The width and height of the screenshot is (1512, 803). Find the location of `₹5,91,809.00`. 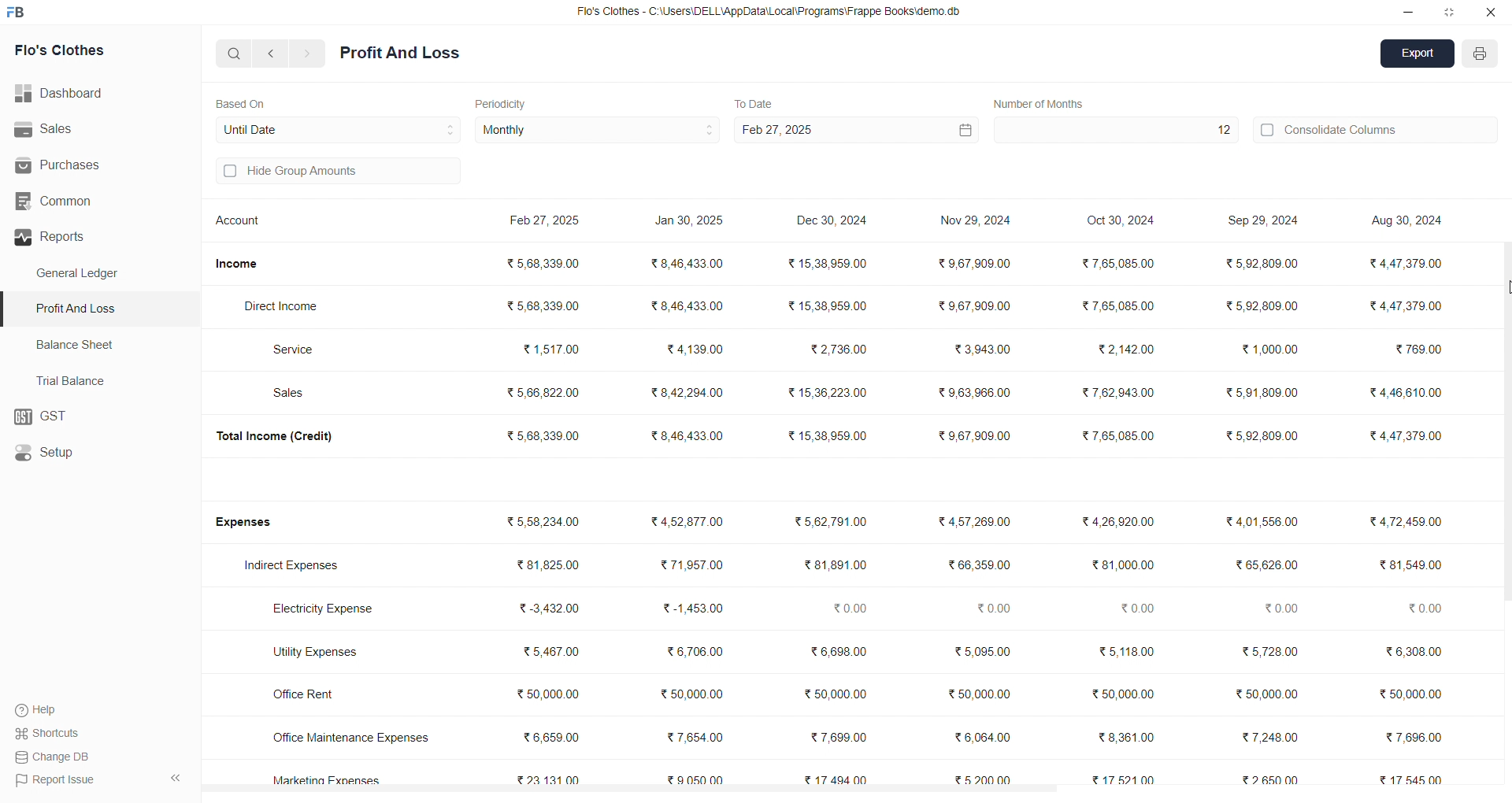

₹5,91,809.00 is located at coordinates (1257, 392).